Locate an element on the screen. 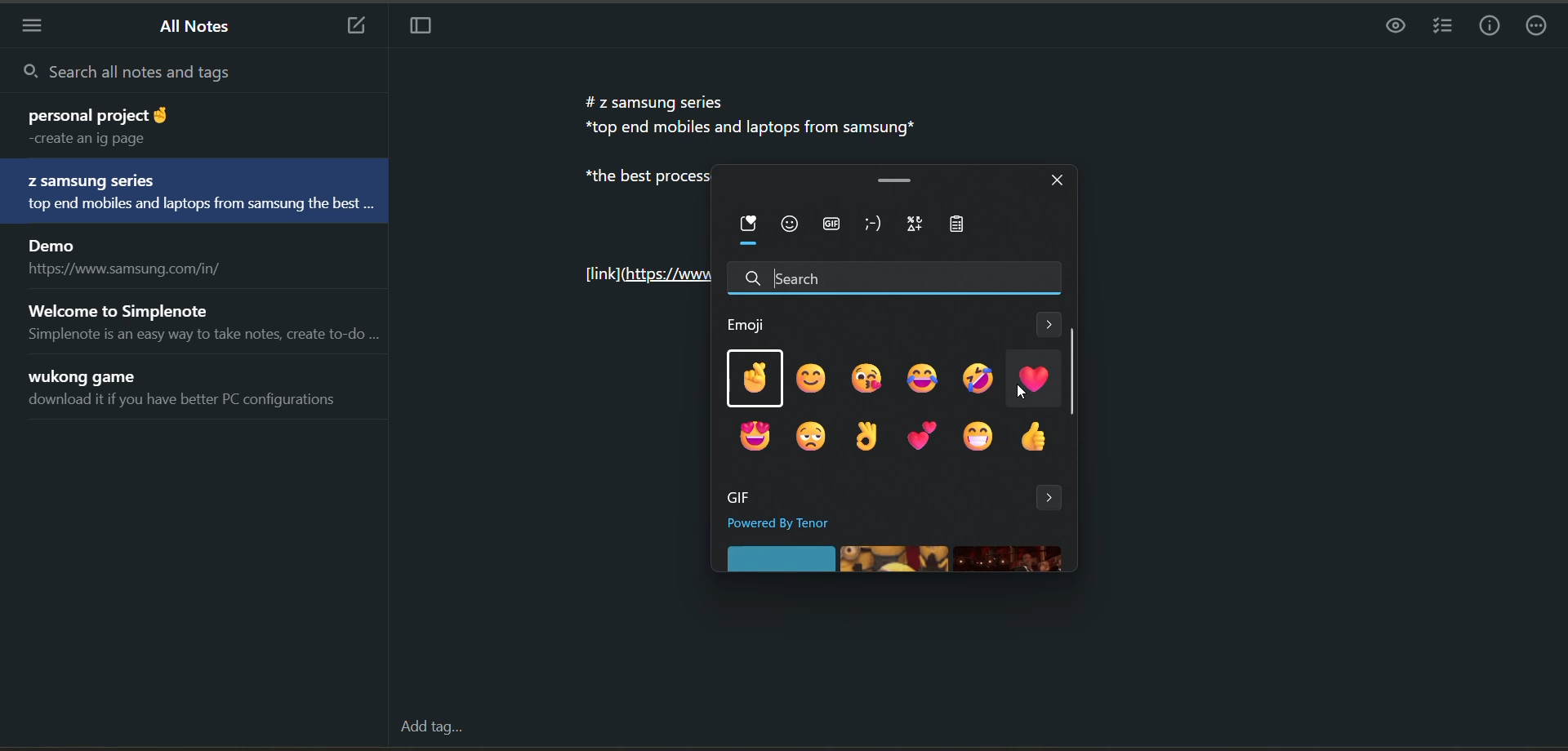 This screenshot has width=1568, height=751. info is located at coordinates (1492, 28).